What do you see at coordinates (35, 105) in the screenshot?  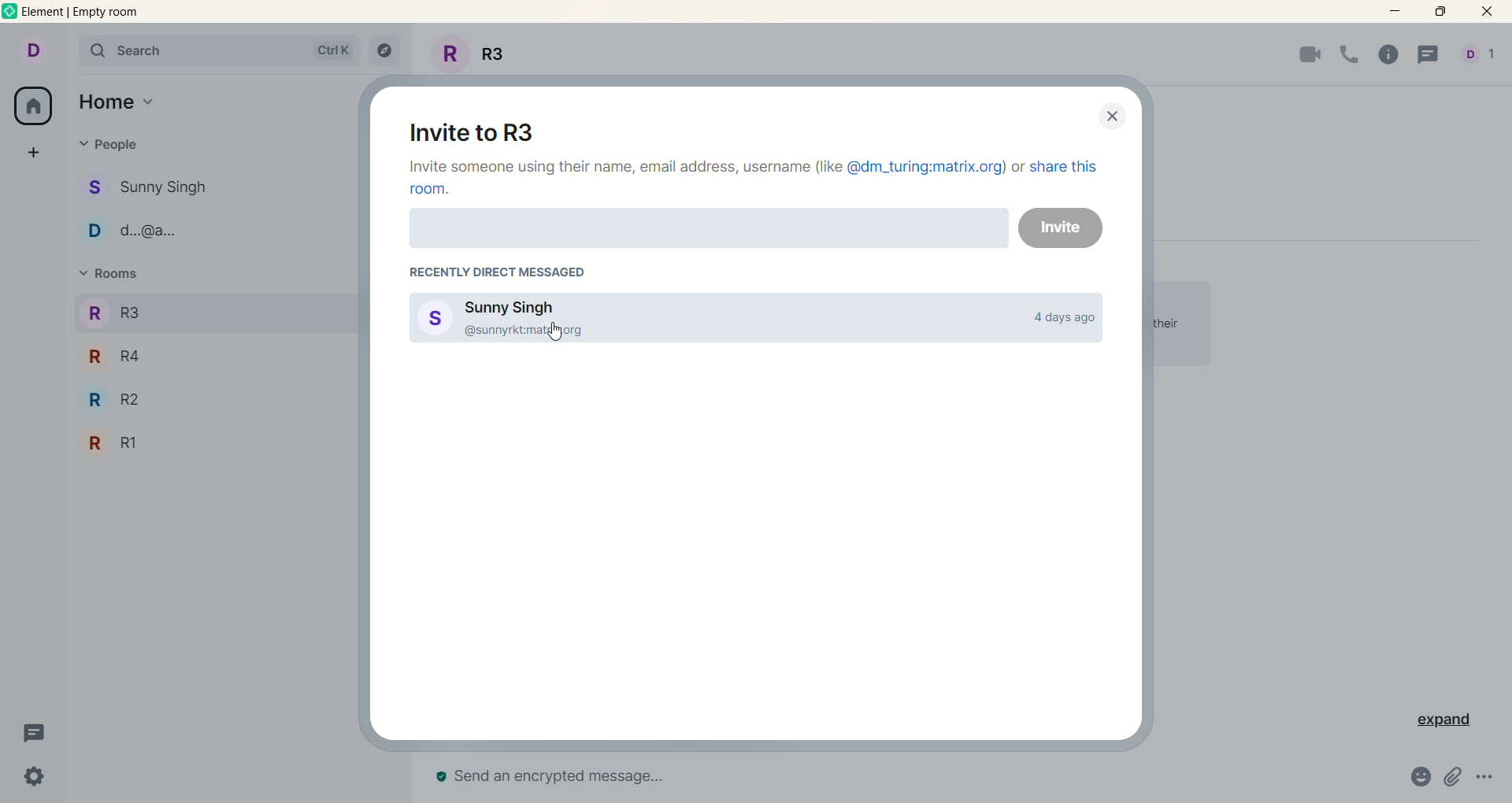 I see `all rooms` at bounding box center [35, 105].